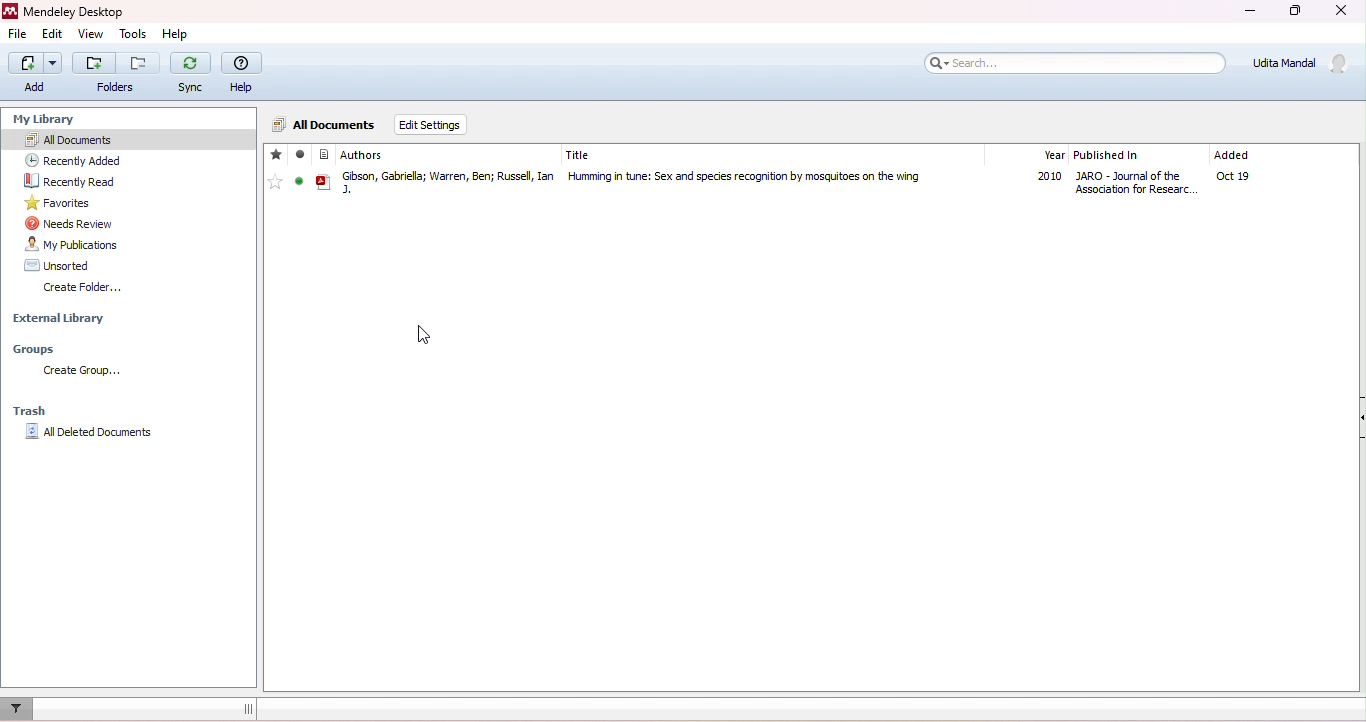 This screenshot has height=722, width=1366. What do you see at coordinates (1232, 178) in the screenshot?
I see `oct19` at bounding box center [1232, 178].